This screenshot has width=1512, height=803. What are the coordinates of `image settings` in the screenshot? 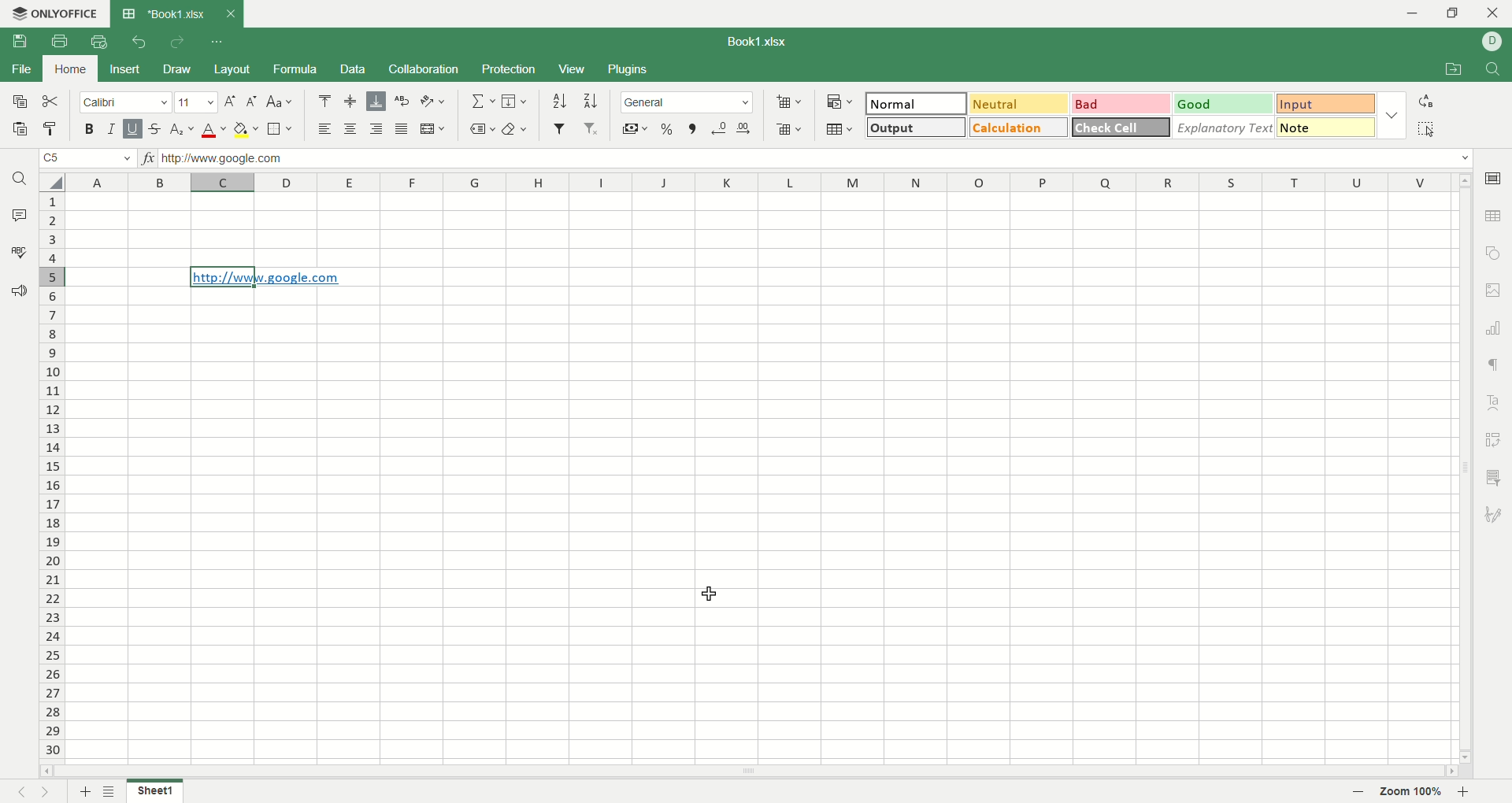 It's located at (1494, 290).